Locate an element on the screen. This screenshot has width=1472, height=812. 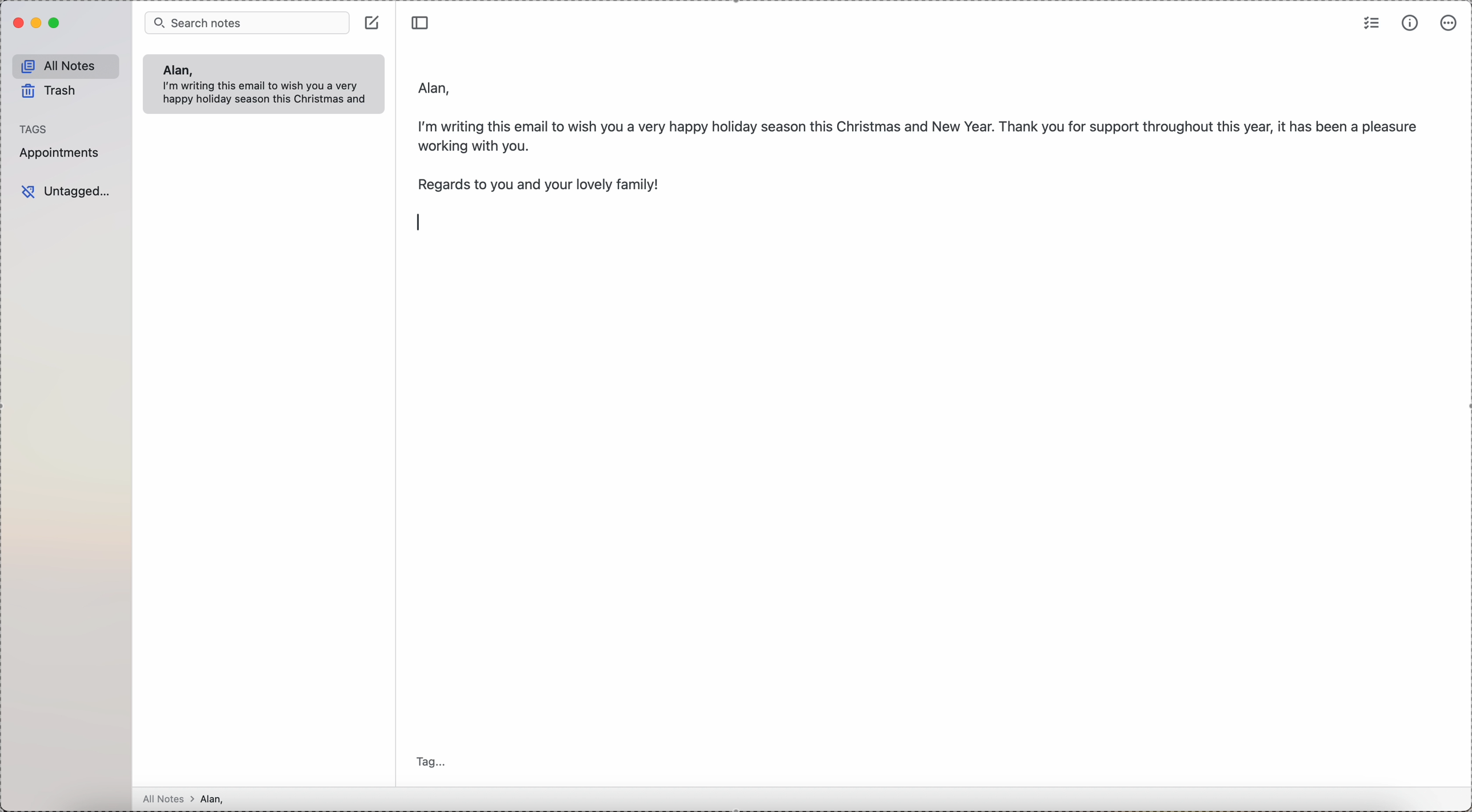
close program is located at coordinates (17, 23).